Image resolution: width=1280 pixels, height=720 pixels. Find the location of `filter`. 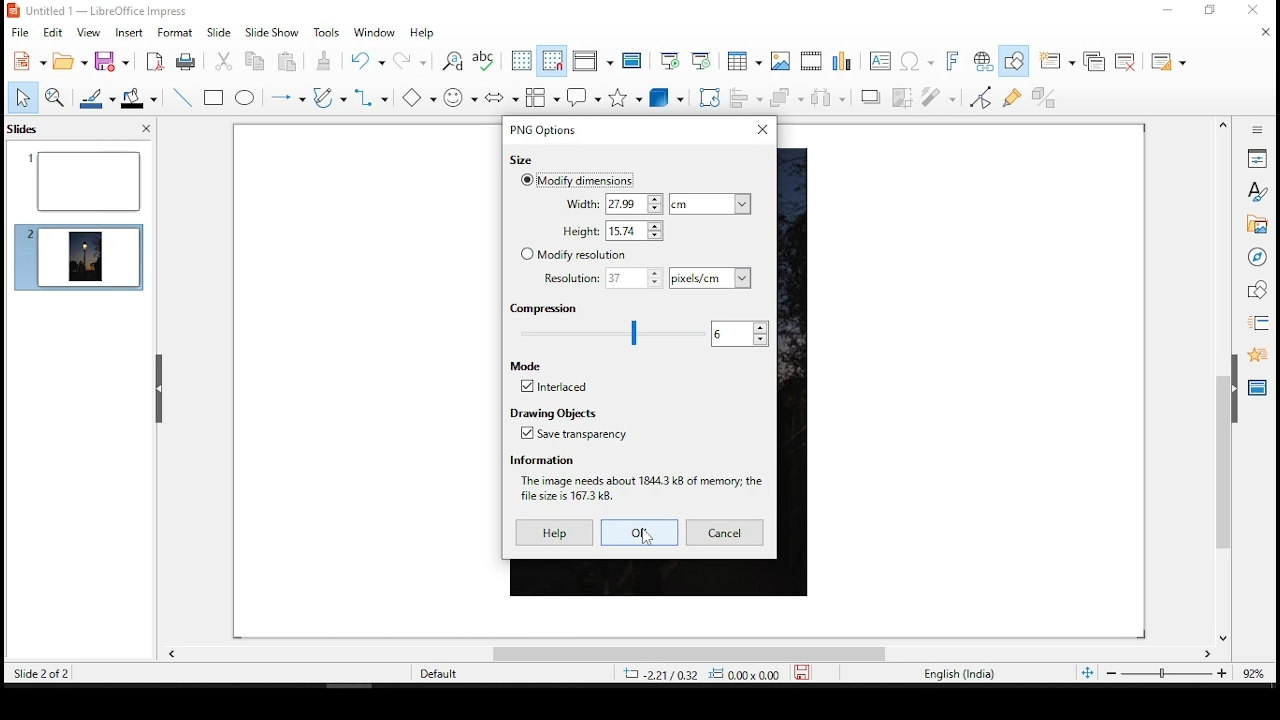

filter is located at coordinates (937, 98).